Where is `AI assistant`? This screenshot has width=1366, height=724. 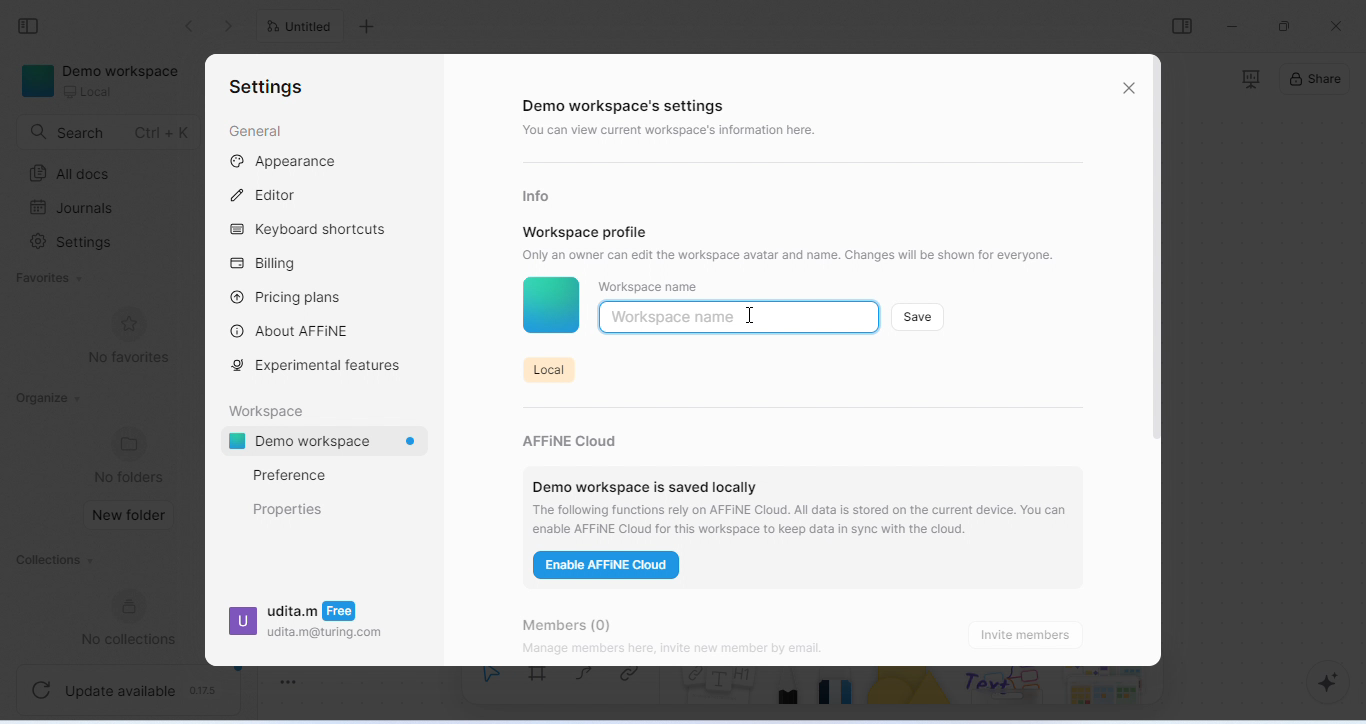 AI assistant is located at coordinates (1320, 683).